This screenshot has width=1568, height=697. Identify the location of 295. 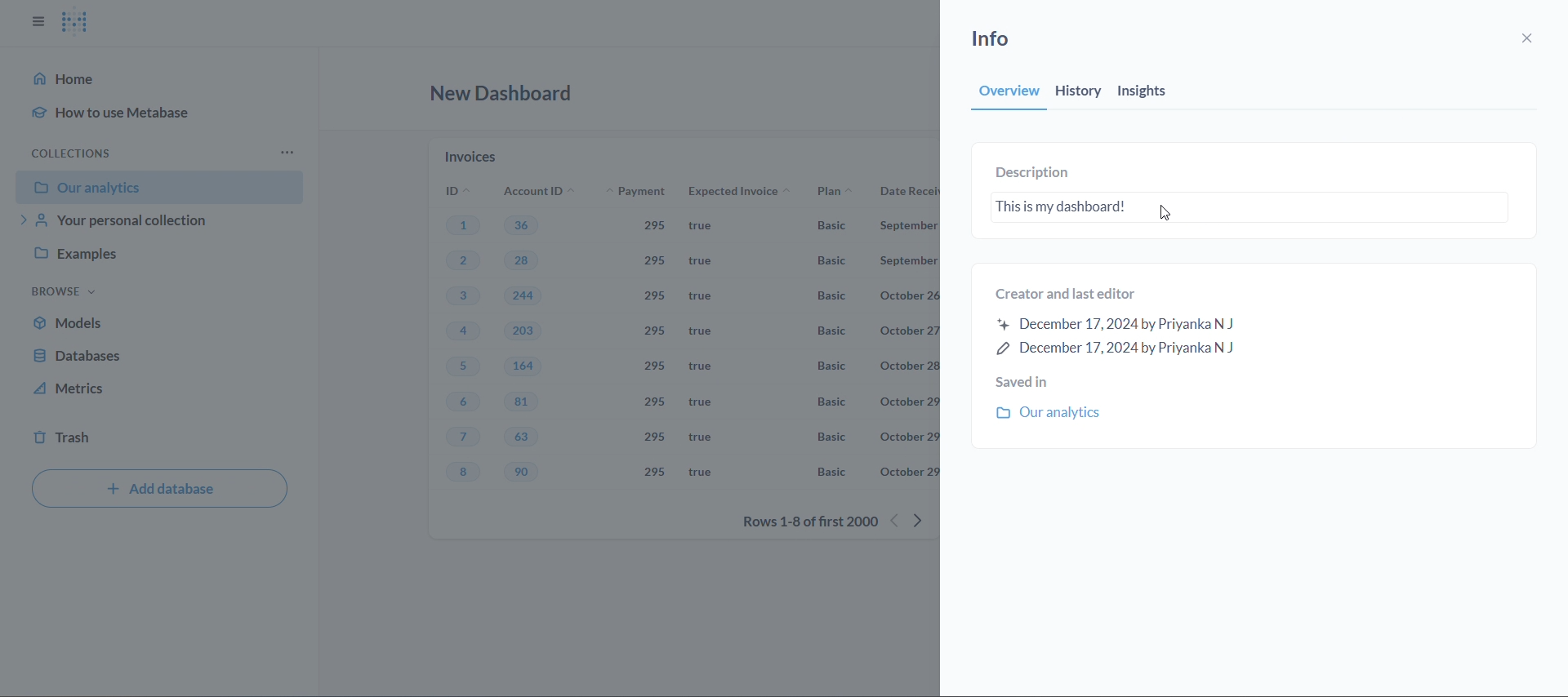
(657, 262).